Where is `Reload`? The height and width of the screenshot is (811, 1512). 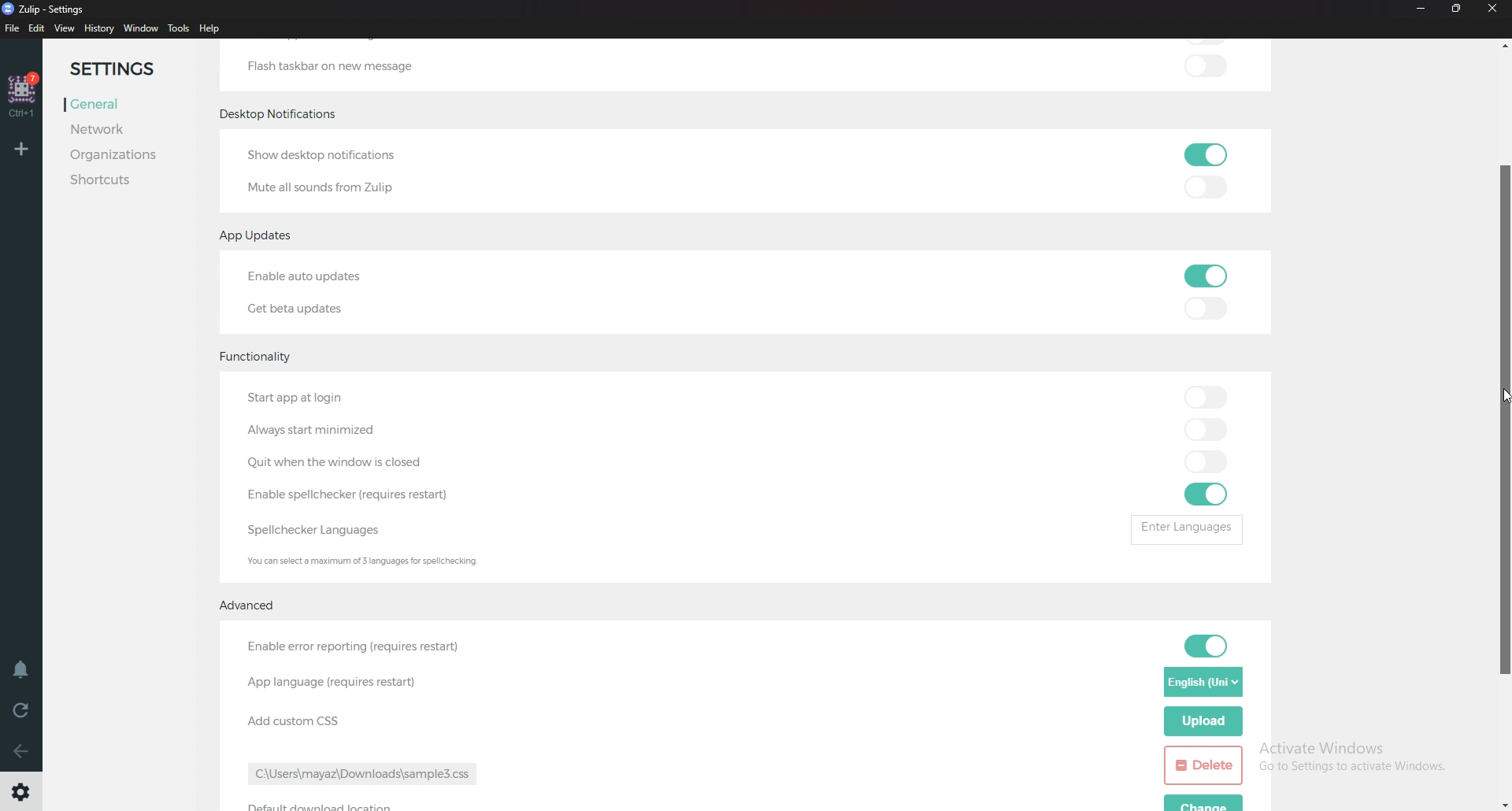
Reload is located at coordinates (22, 713).